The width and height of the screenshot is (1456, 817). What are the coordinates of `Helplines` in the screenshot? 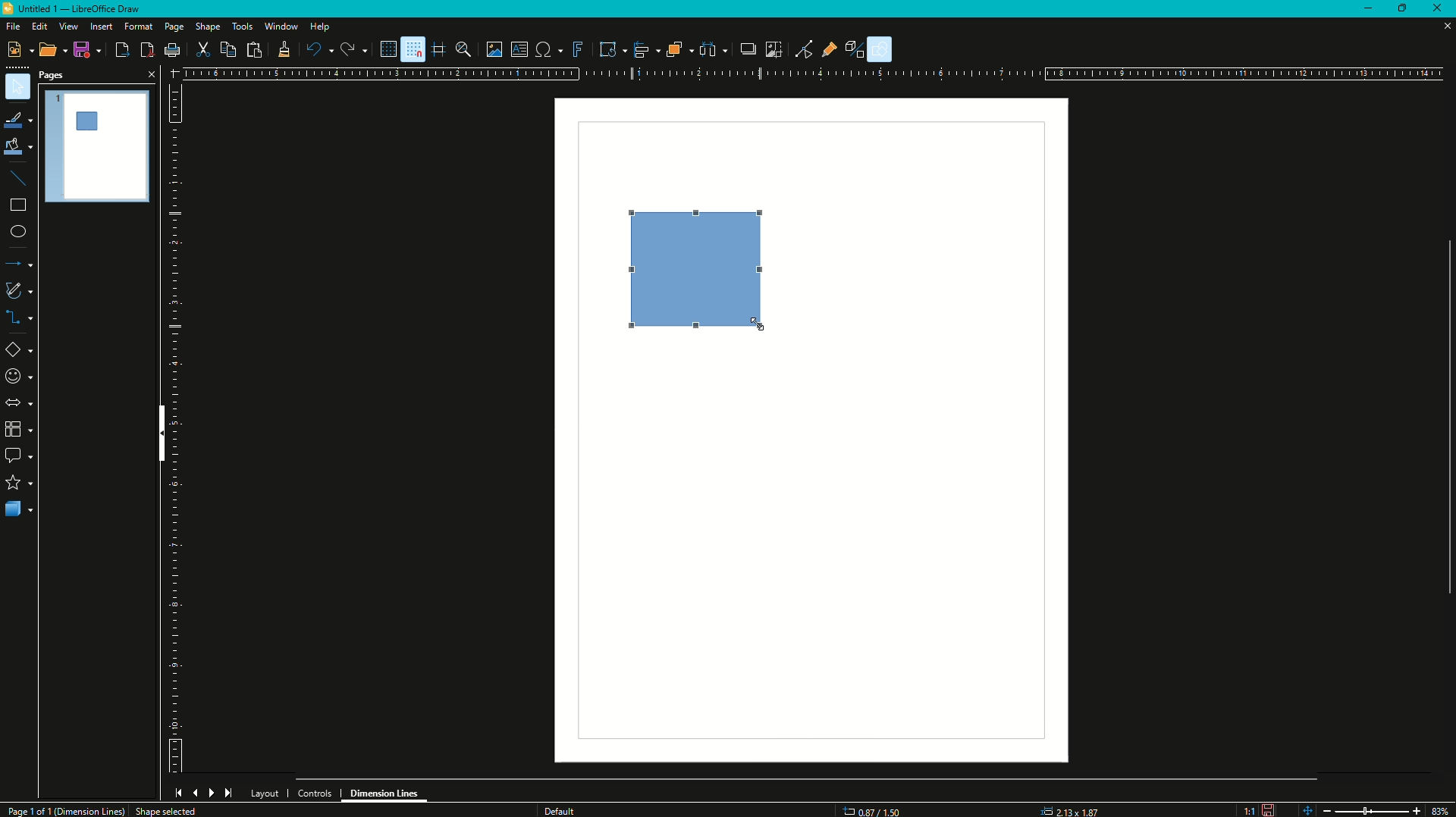 It's located at (438, 49).